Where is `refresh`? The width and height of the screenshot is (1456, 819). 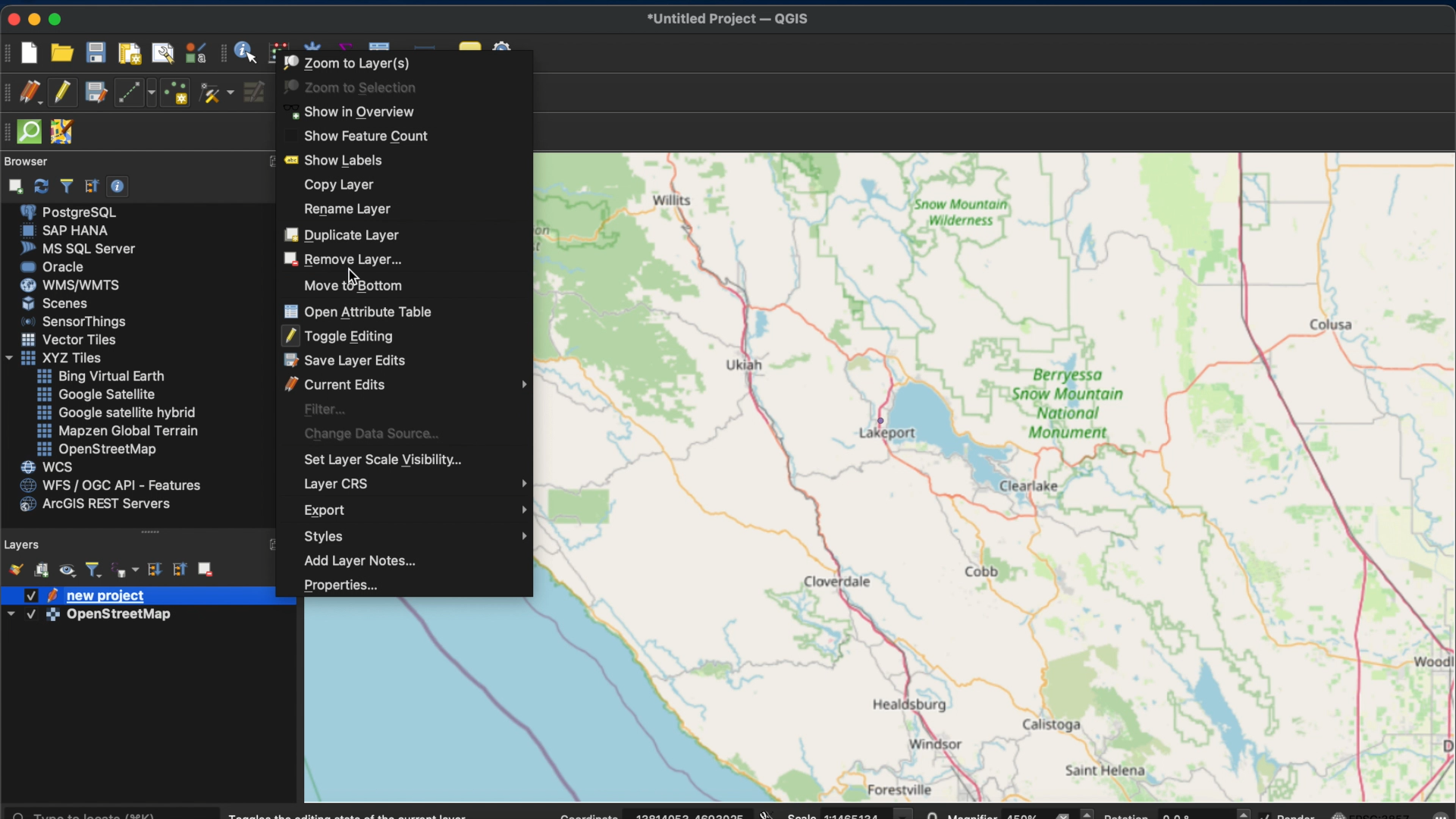 refresh is located at coordinates (42, 184).